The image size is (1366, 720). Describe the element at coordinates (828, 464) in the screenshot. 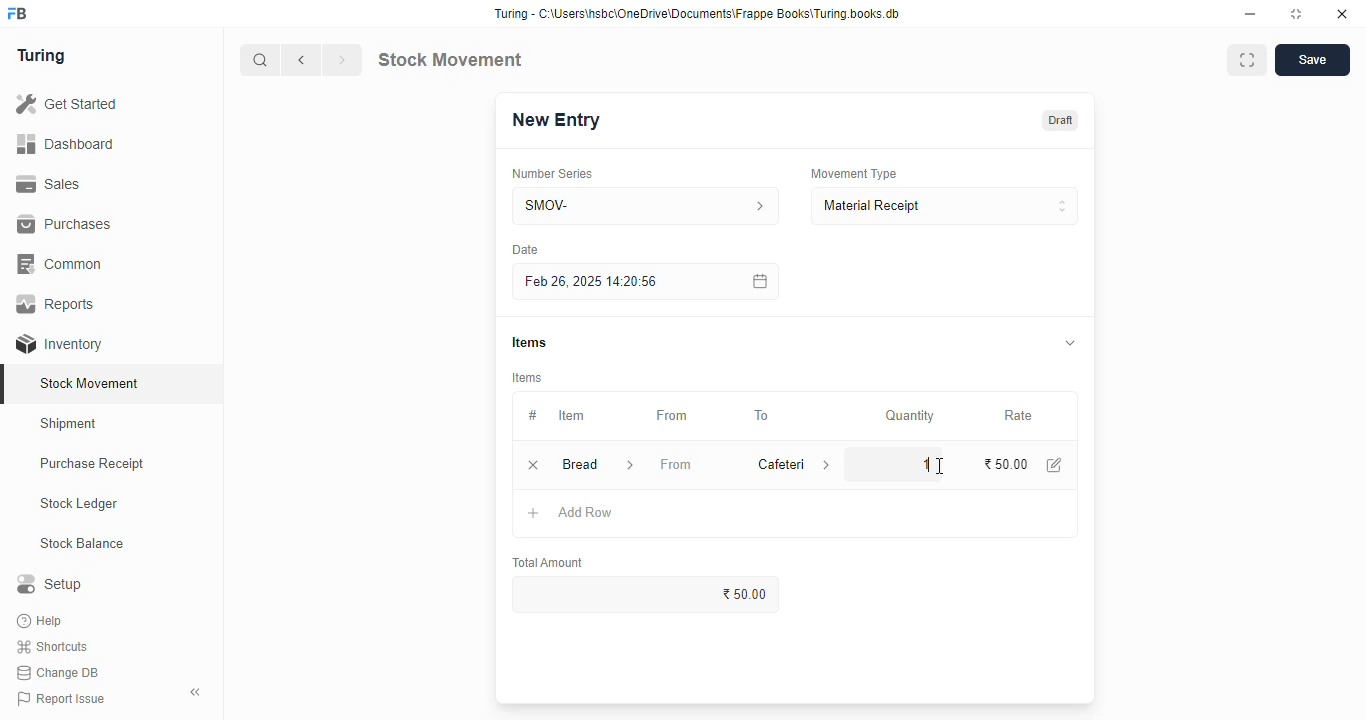

I see `cafeteria information` at that location.